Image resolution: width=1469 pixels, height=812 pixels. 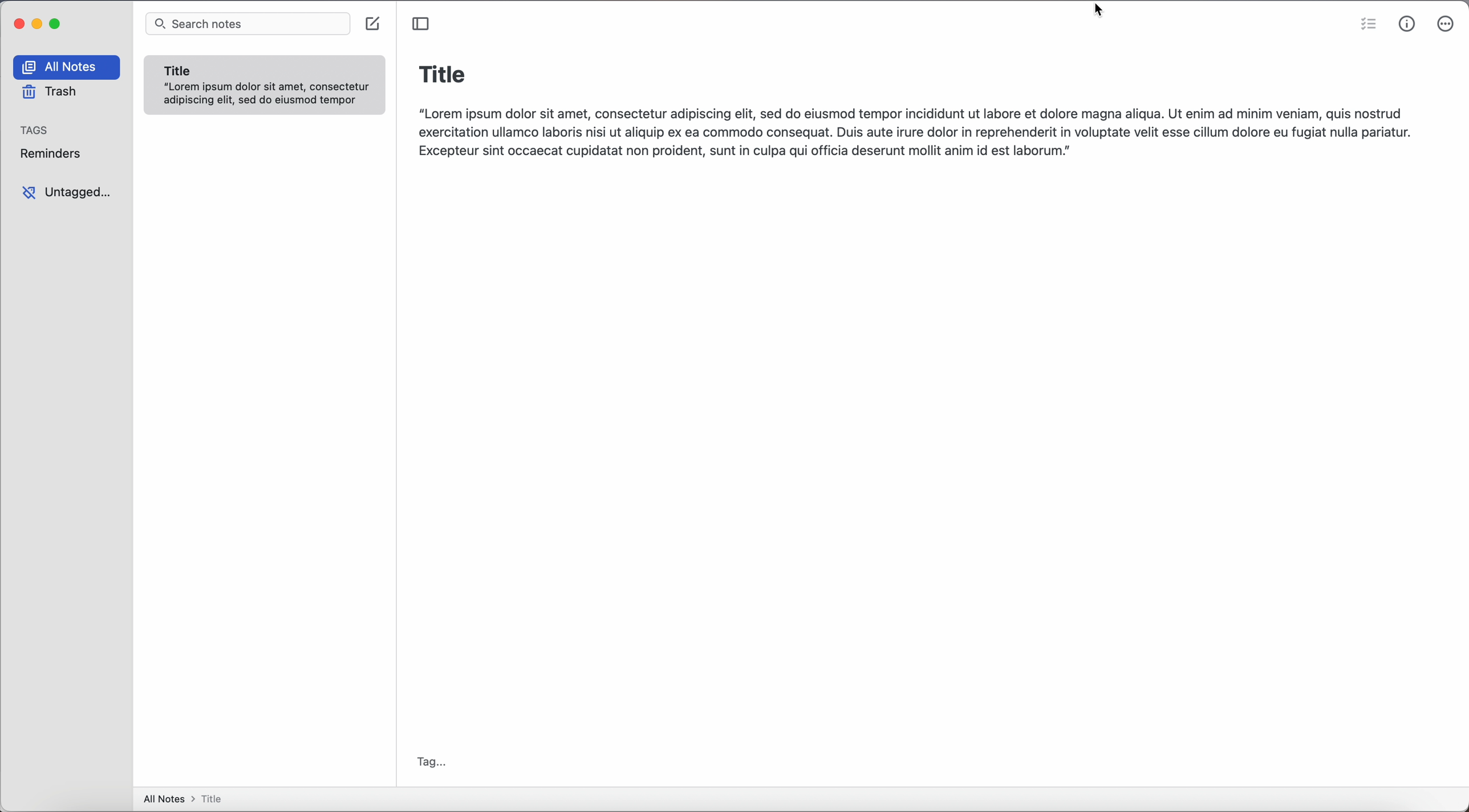 What do you see at coordinates (1407, 24) in the screenshot?
I see `metrics` at bounding box center [1407, 24].